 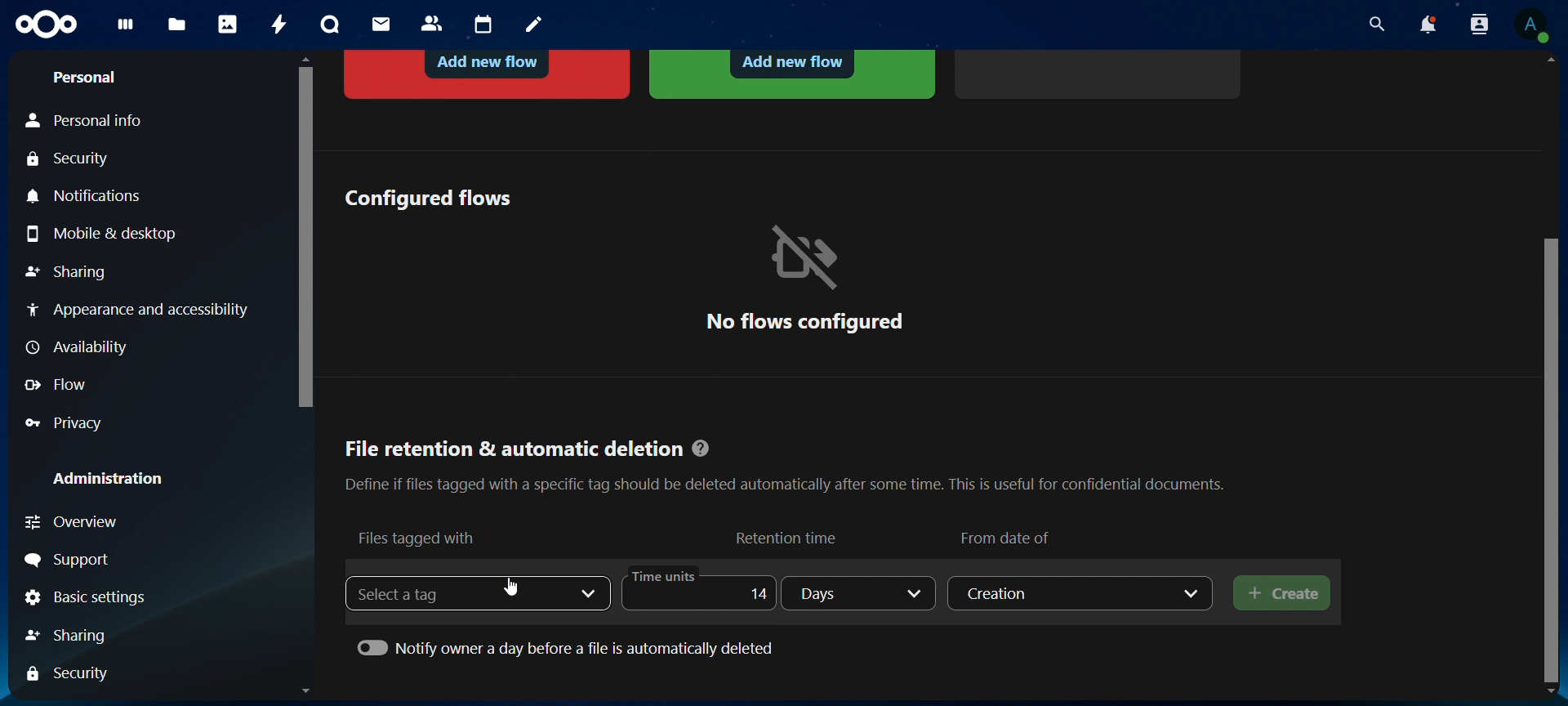 I want to click on overview, so click(x=104, y=522).